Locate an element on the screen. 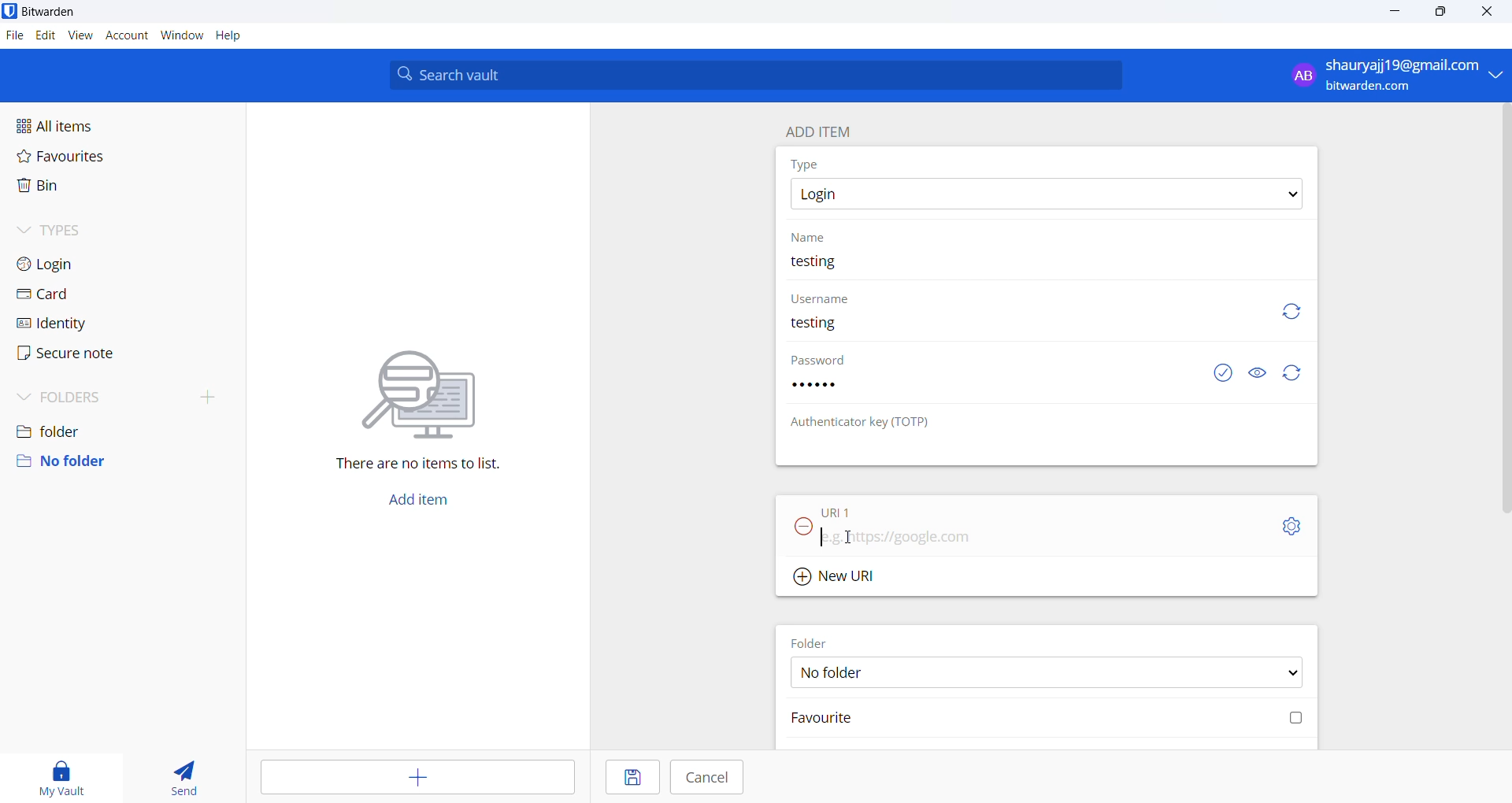 The image size is (1512, 803). username heading is located at coordinates (821, 299).